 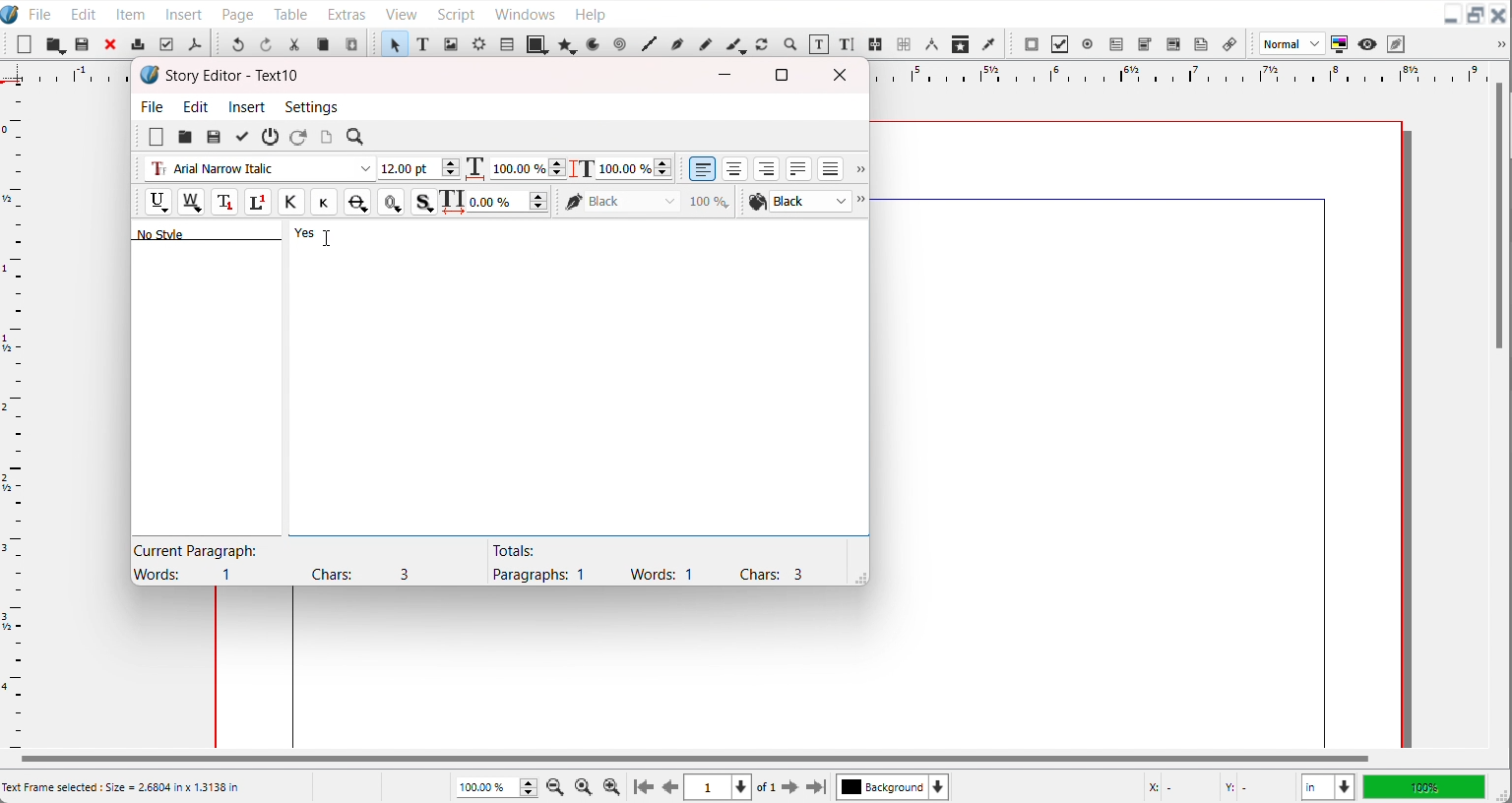 I want to click on Align text center, so click(x=735, y=168).